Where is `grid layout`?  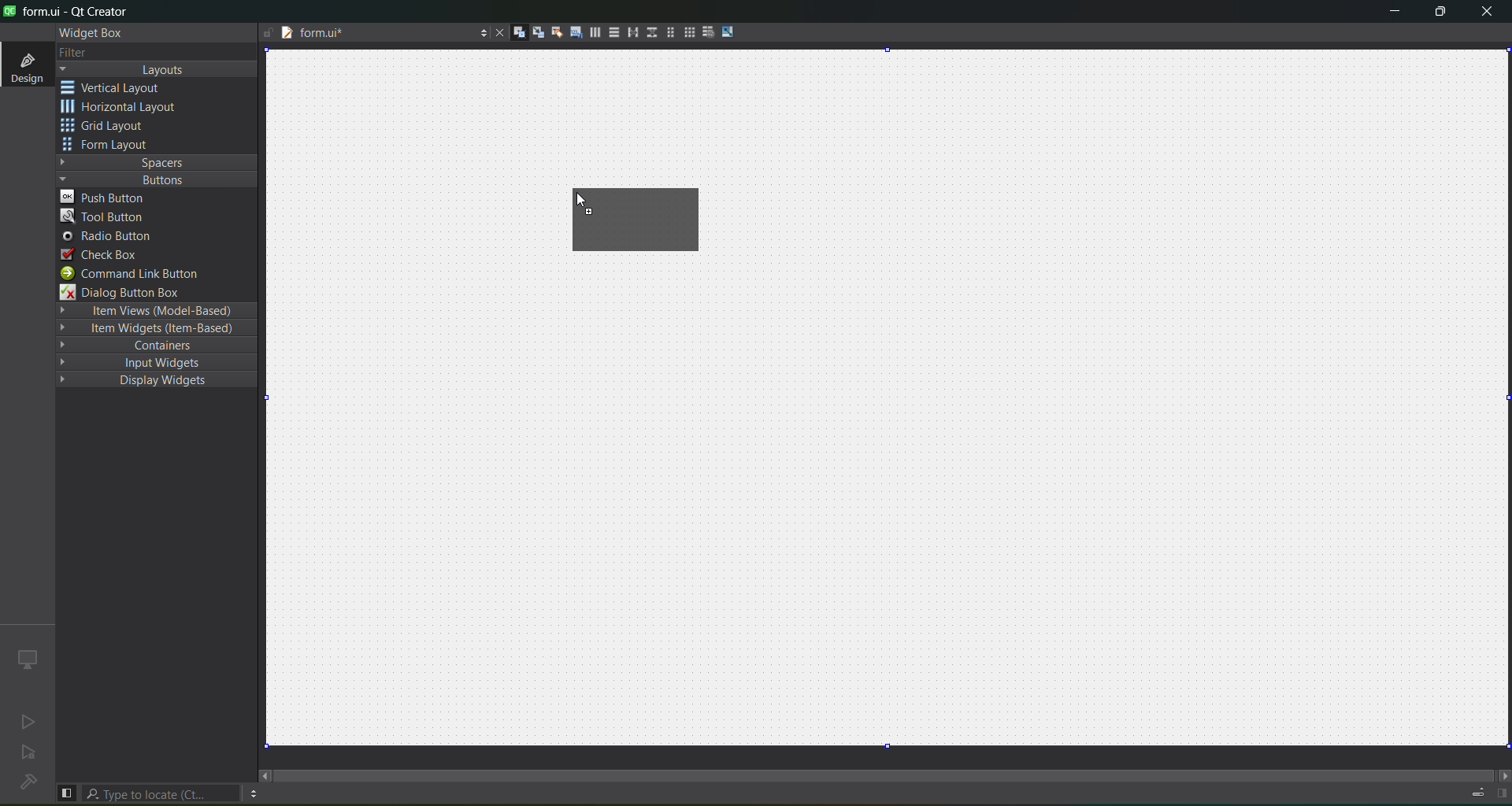
grid layout is located at coordinates (108, 128).